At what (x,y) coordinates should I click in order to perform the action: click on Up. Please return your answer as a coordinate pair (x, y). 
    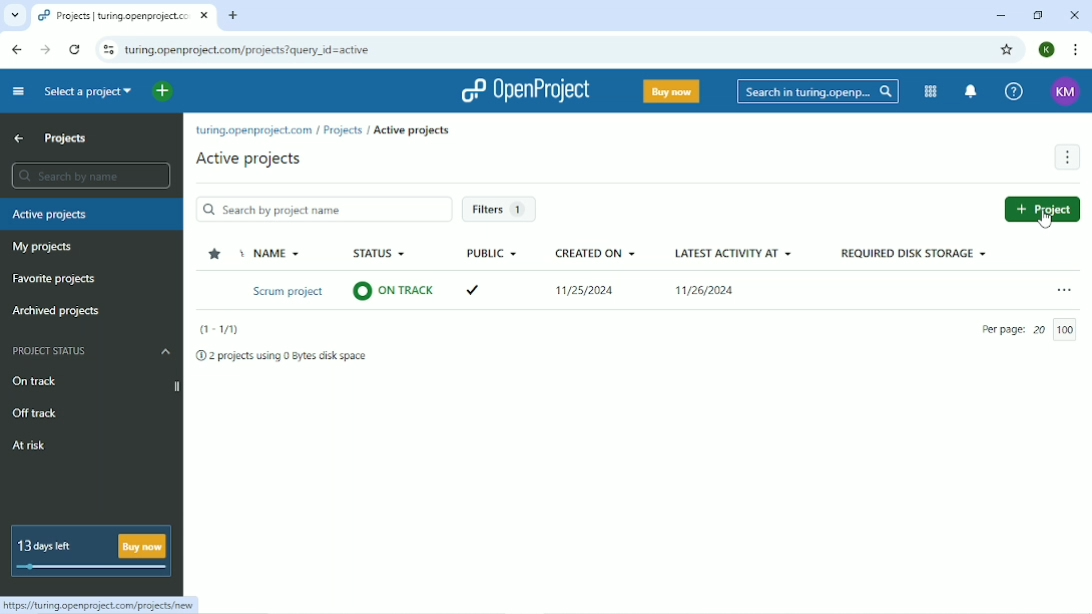
    Looking at the image, I should click on (19, 140).